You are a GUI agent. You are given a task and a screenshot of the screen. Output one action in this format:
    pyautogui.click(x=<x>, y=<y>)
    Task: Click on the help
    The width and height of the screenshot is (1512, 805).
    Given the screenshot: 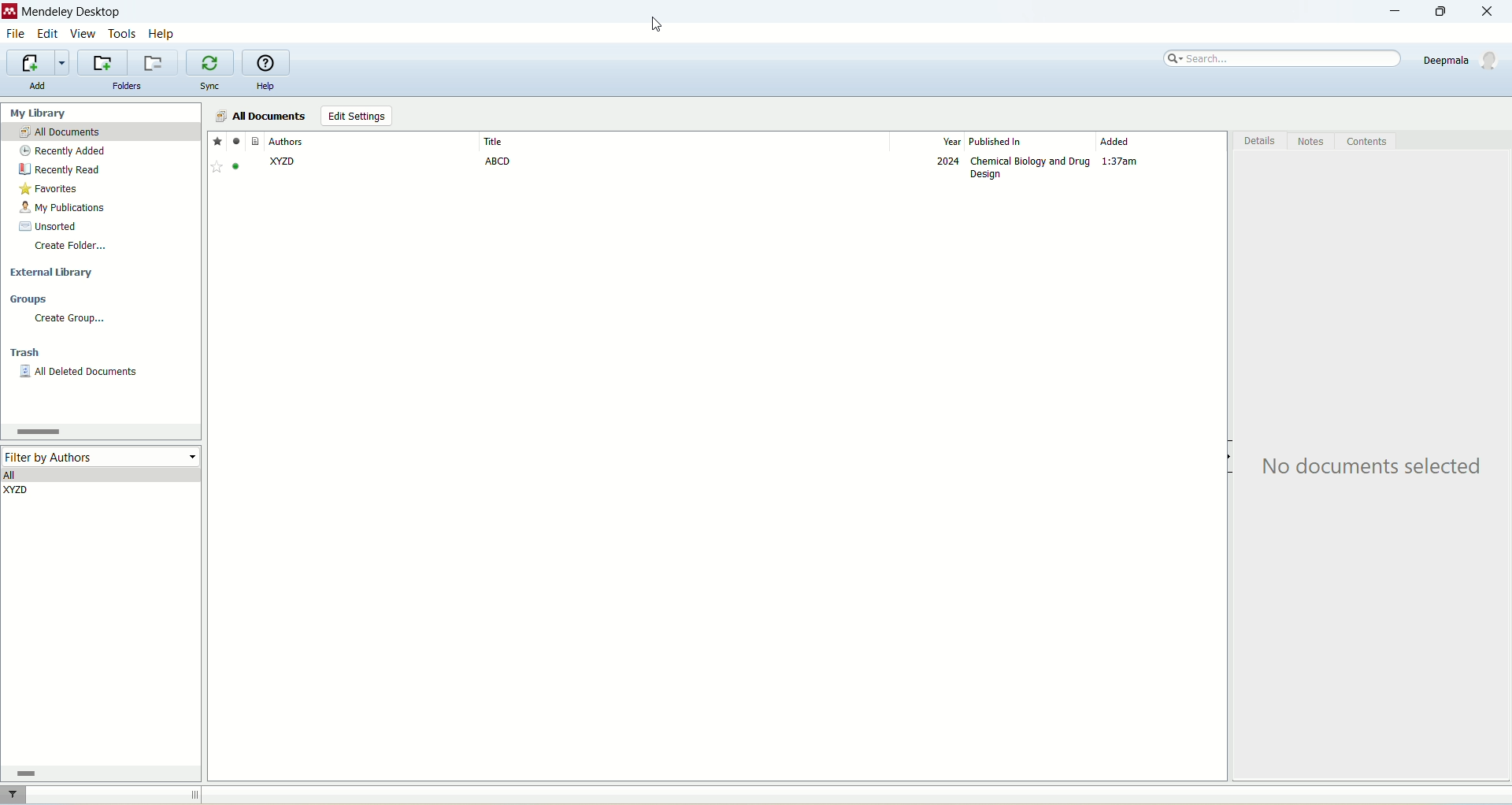 What is the action you would take?
    pyautogui.click(x=265, y=87)
    